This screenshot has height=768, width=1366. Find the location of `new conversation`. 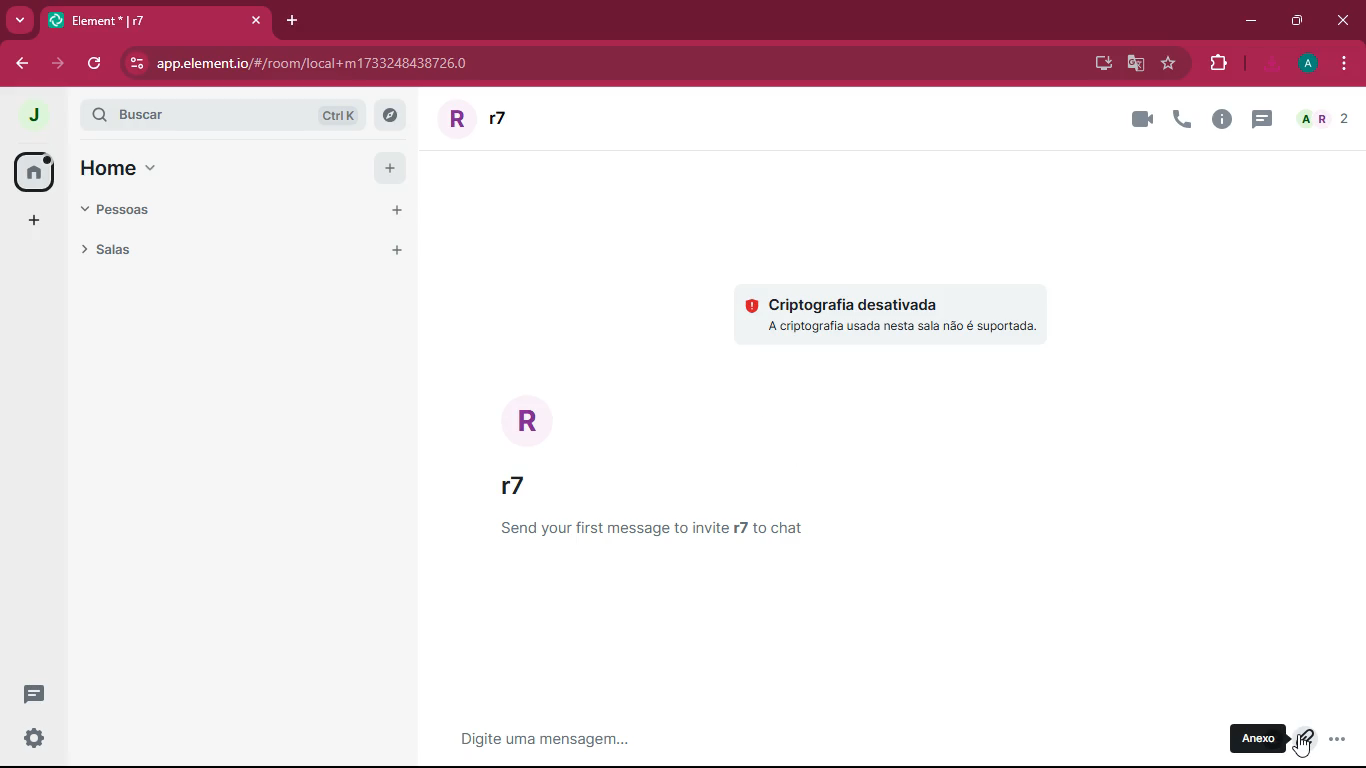

new conversation is located at coordinates (37, 696).